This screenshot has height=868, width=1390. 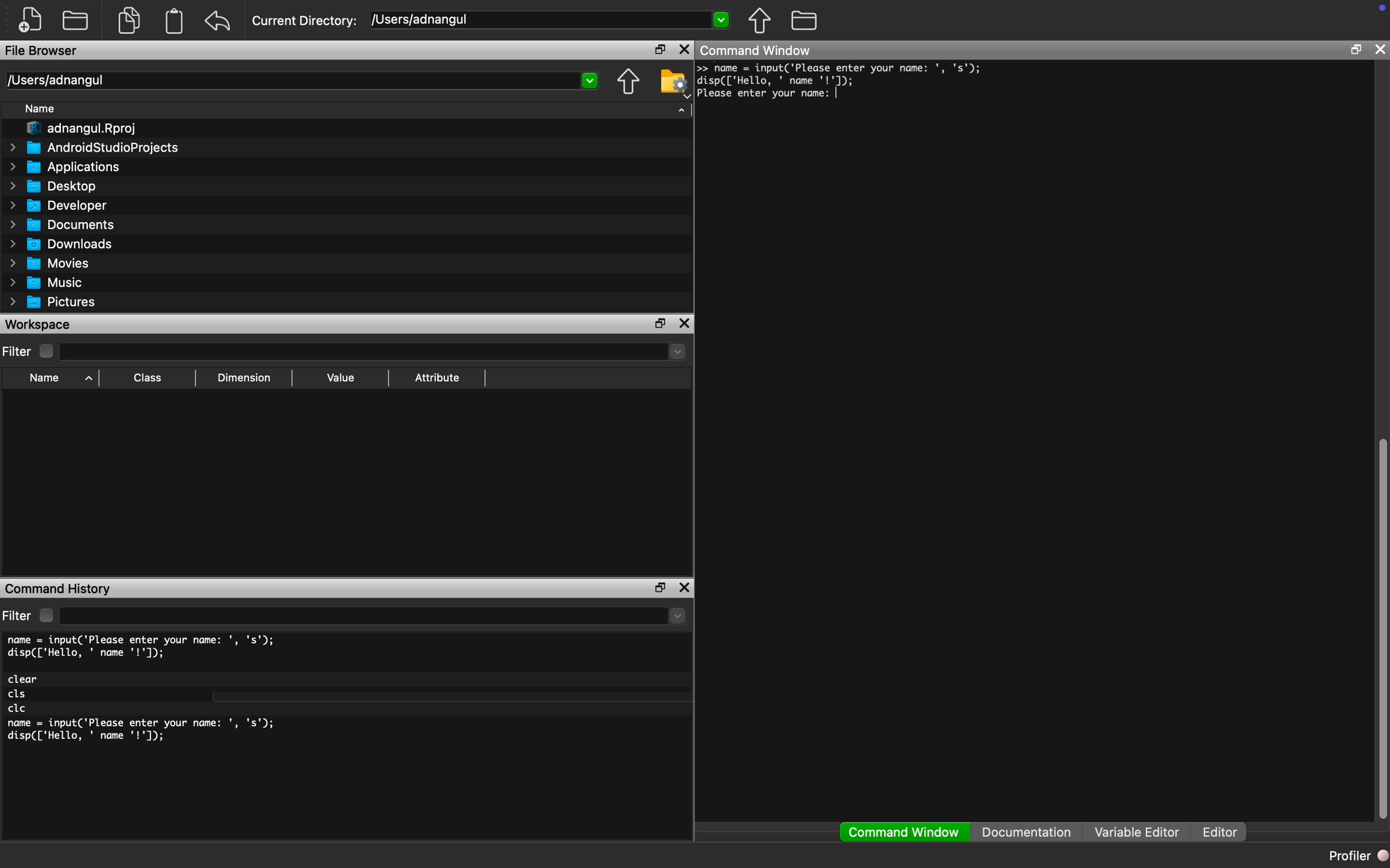 I want to click on Pictures, so click(x=53, y=303).